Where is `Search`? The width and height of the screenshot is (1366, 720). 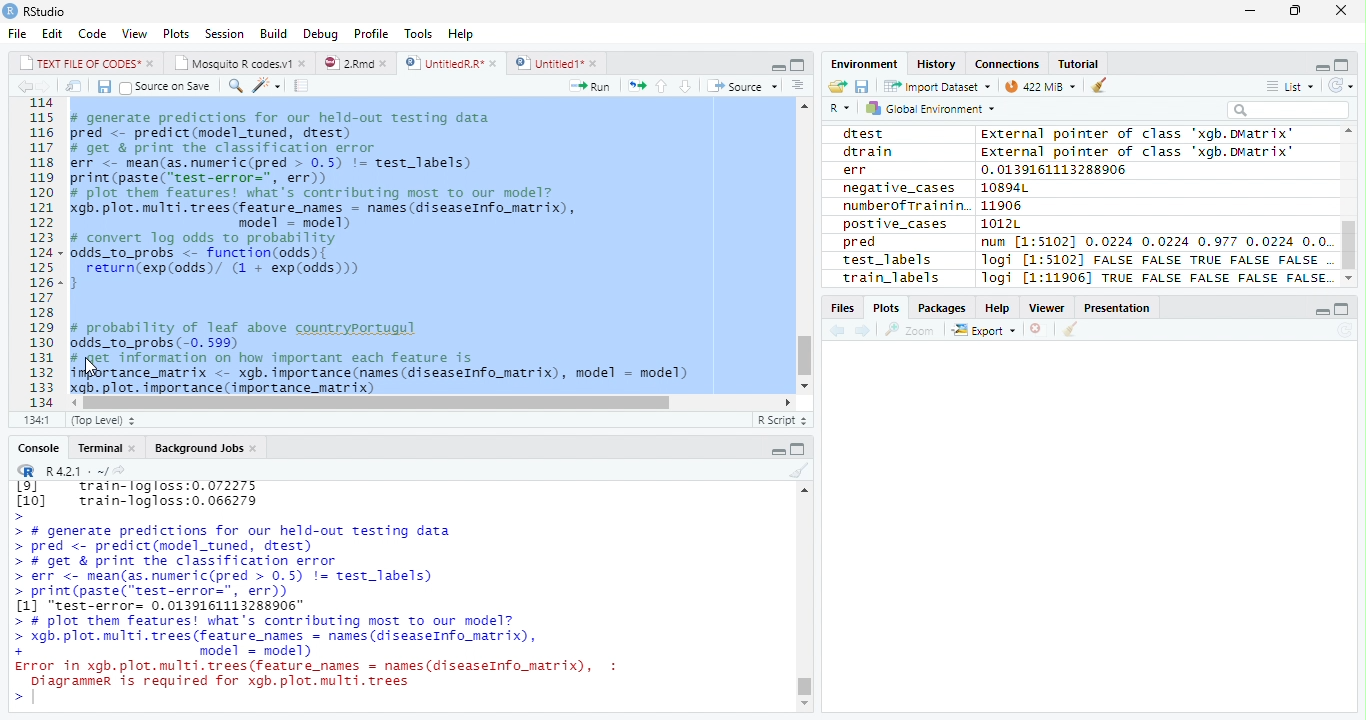 Search is located at coordinates (1288, 110).